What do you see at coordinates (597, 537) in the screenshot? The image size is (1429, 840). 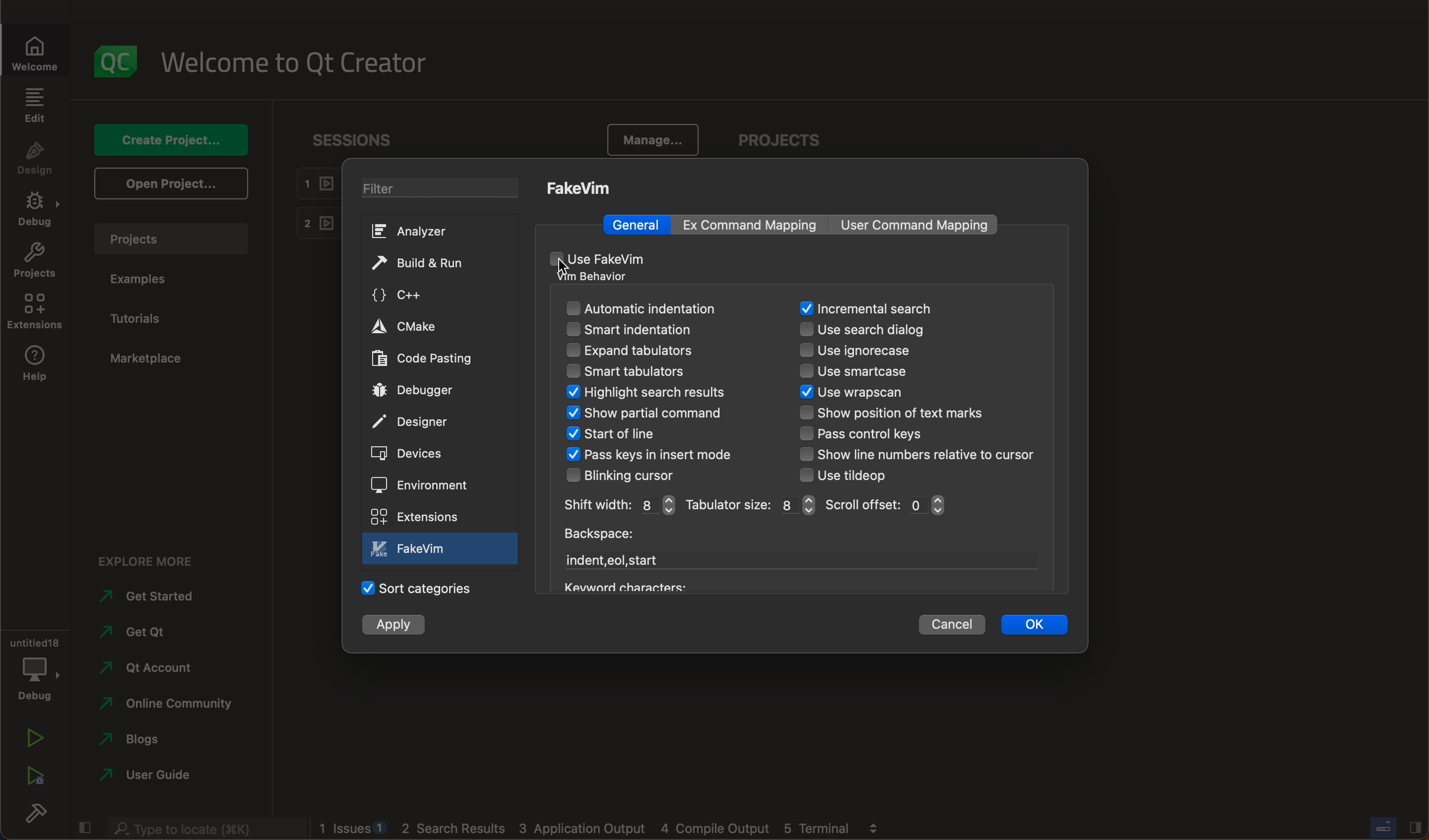 I see `backspace` at bounding box center [597, 537].